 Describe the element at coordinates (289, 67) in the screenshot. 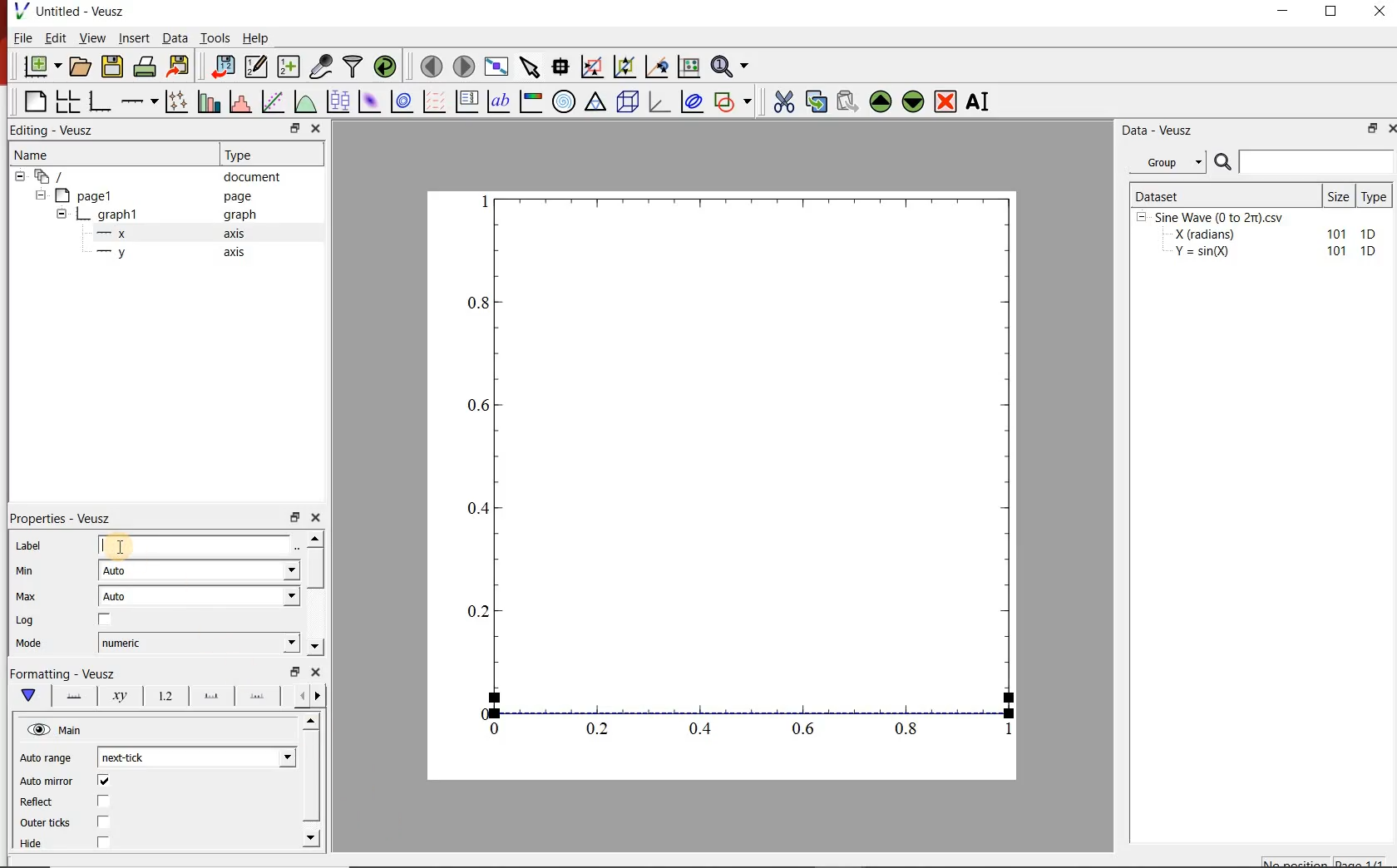

I see `create new datasets` at that location.